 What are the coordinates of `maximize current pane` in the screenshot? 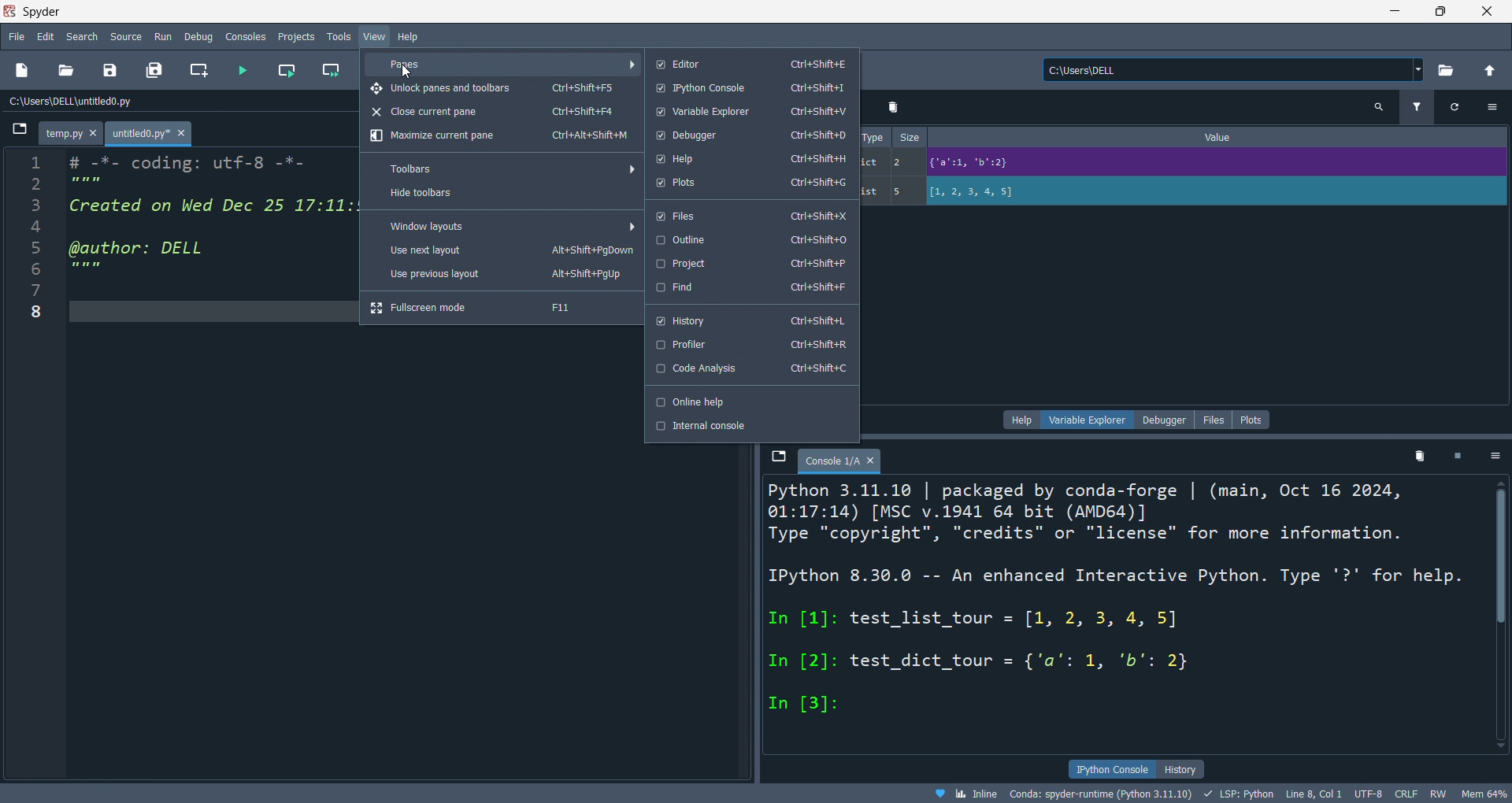 It's located at (498, 137).